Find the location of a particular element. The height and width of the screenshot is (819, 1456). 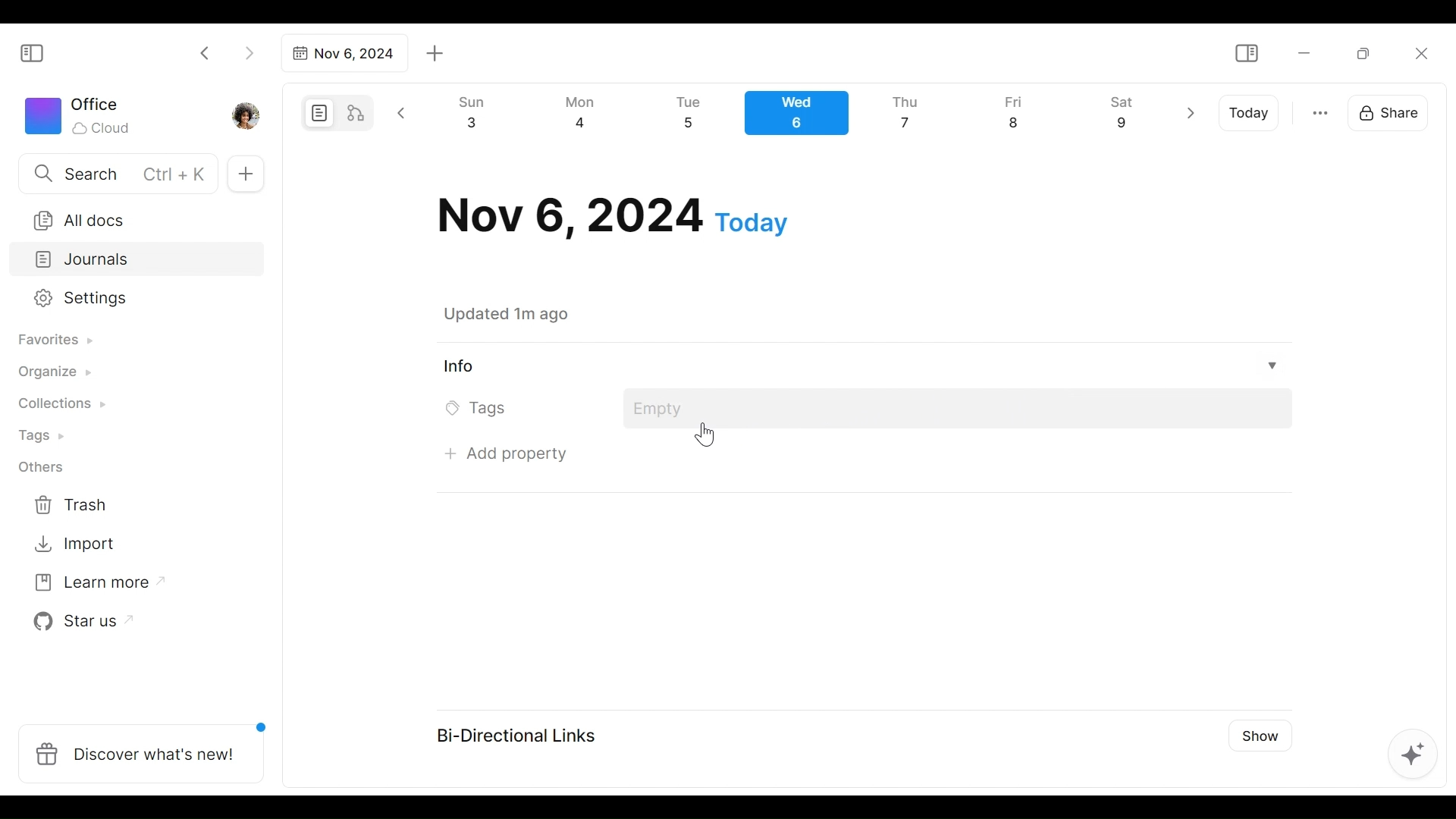

Today is located at coordinates (1250, 113).